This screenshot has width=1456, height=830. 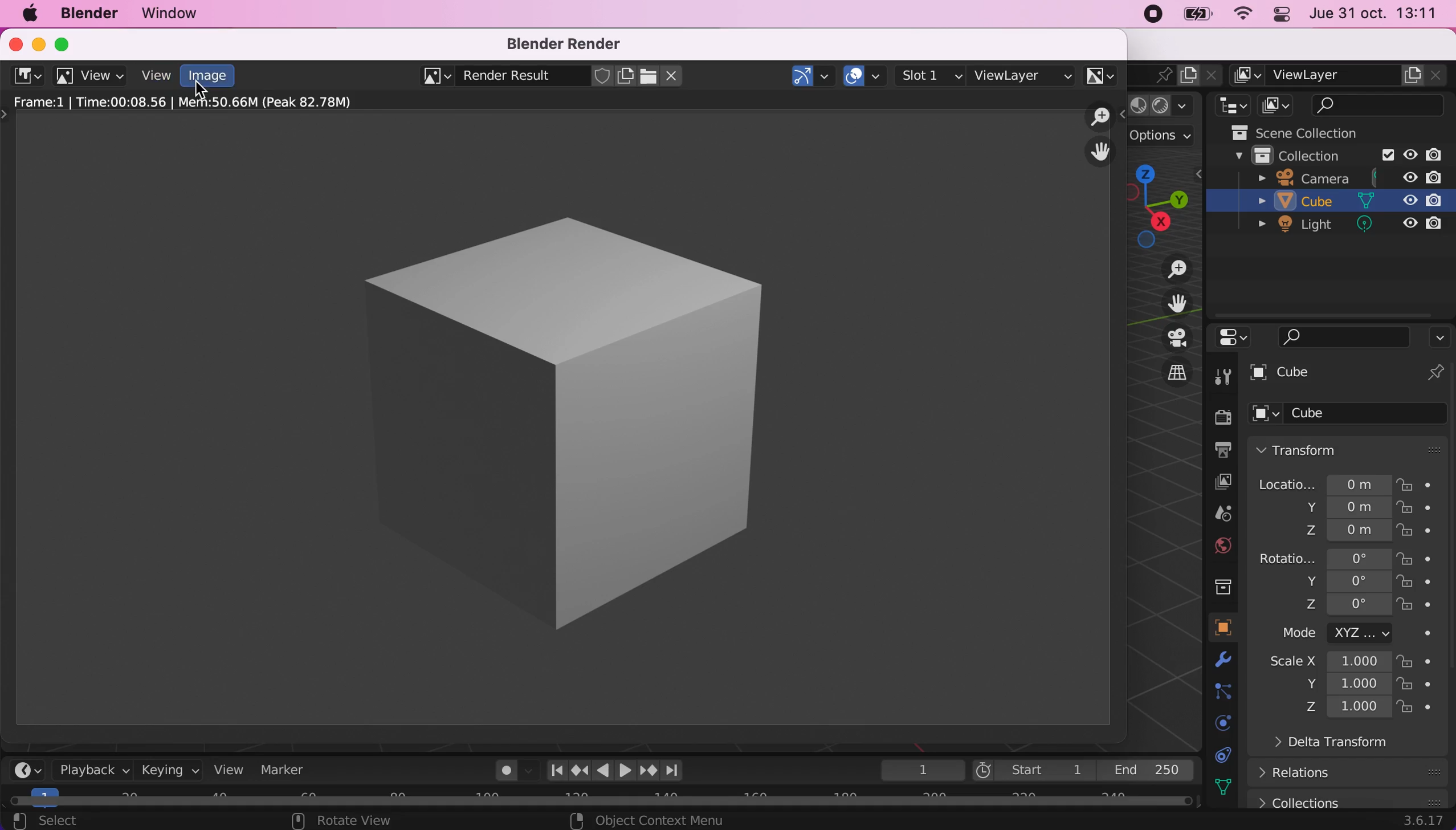 I want to click on render result, so click(x=507, y=78).